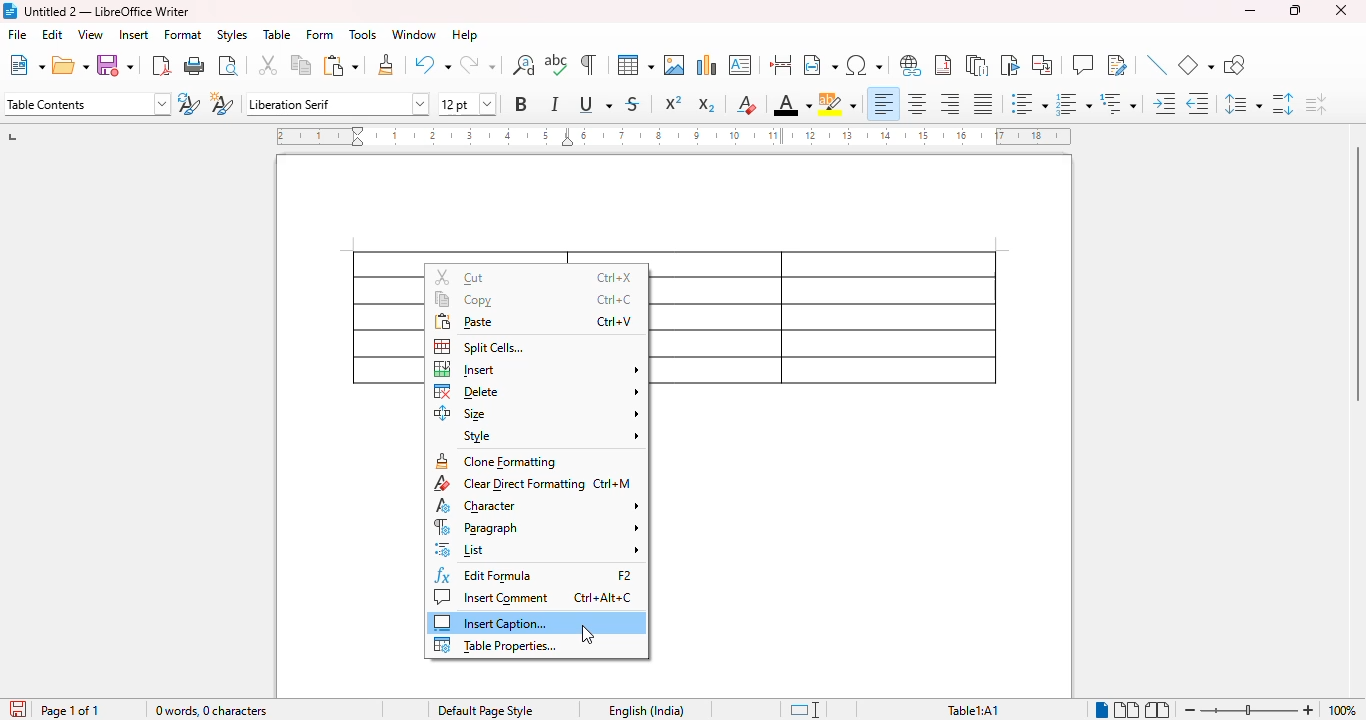  What do you see at coordinates (107, 12) in the screenshot?
I see `title` at bounding box center [107, 12].